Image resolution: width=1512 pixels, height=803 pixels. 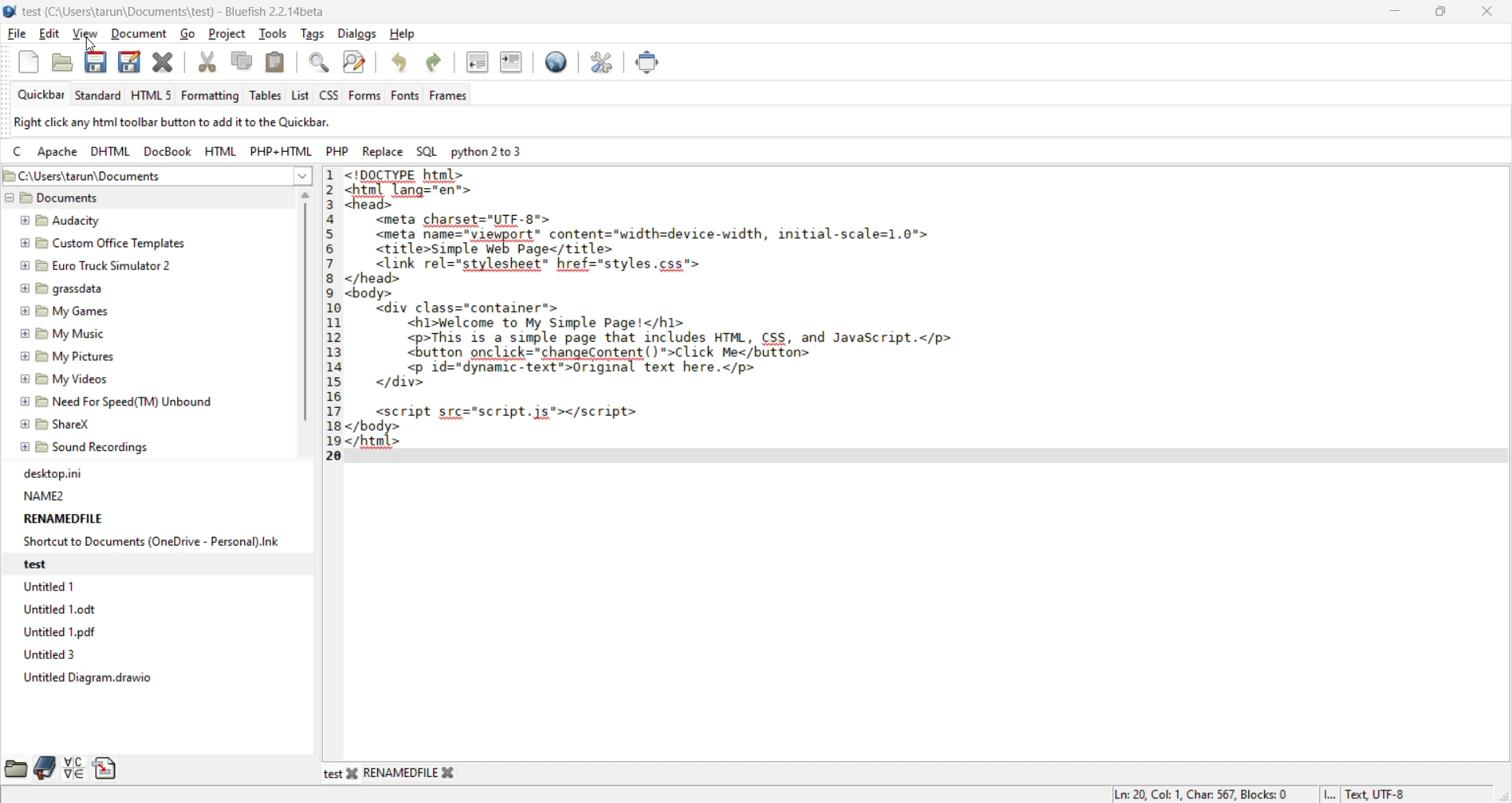 I want to click on undo, so click(x=400, y=64).